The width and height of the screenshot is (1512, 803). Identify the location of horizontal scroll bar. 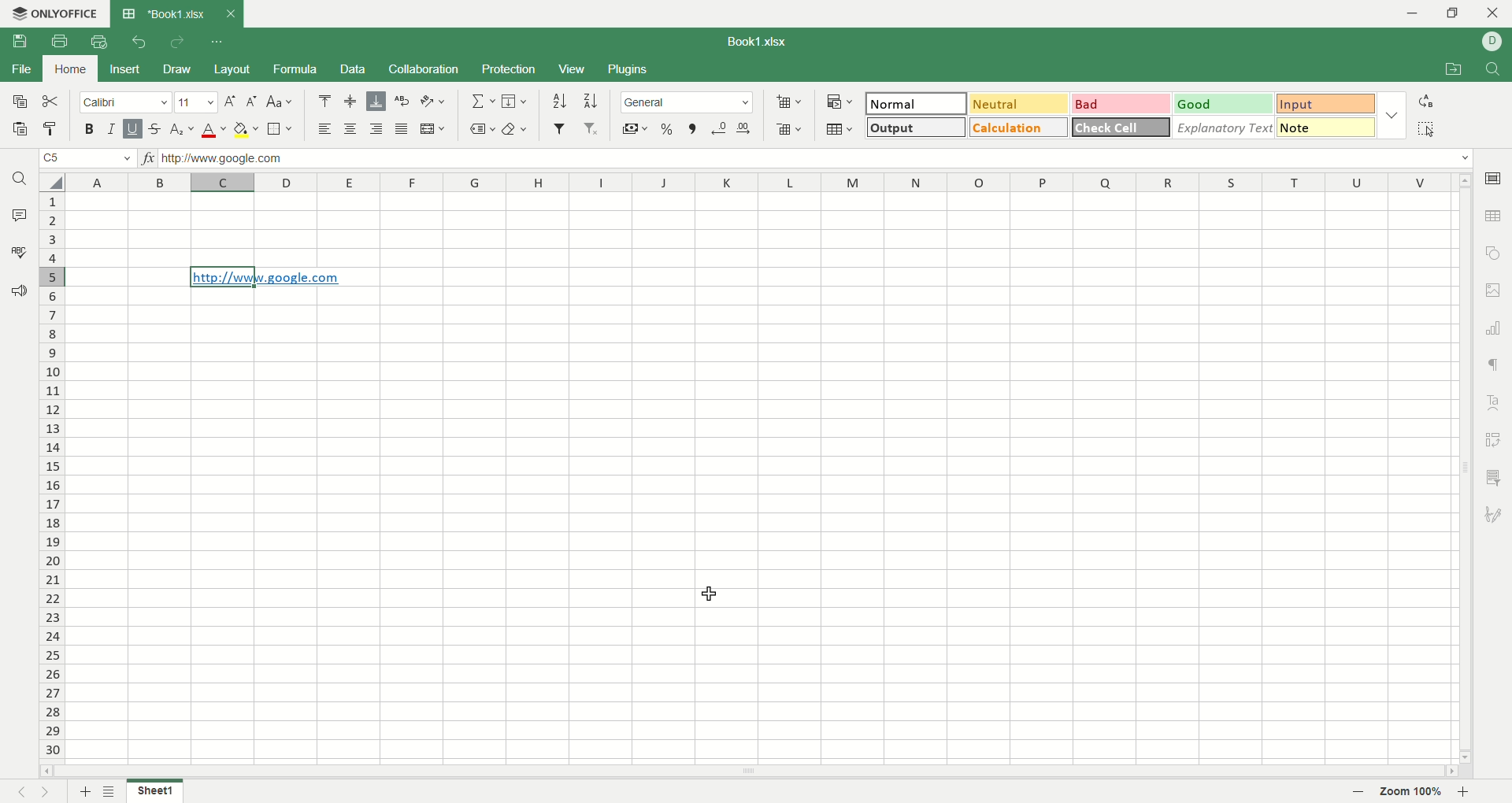
(748, 774).